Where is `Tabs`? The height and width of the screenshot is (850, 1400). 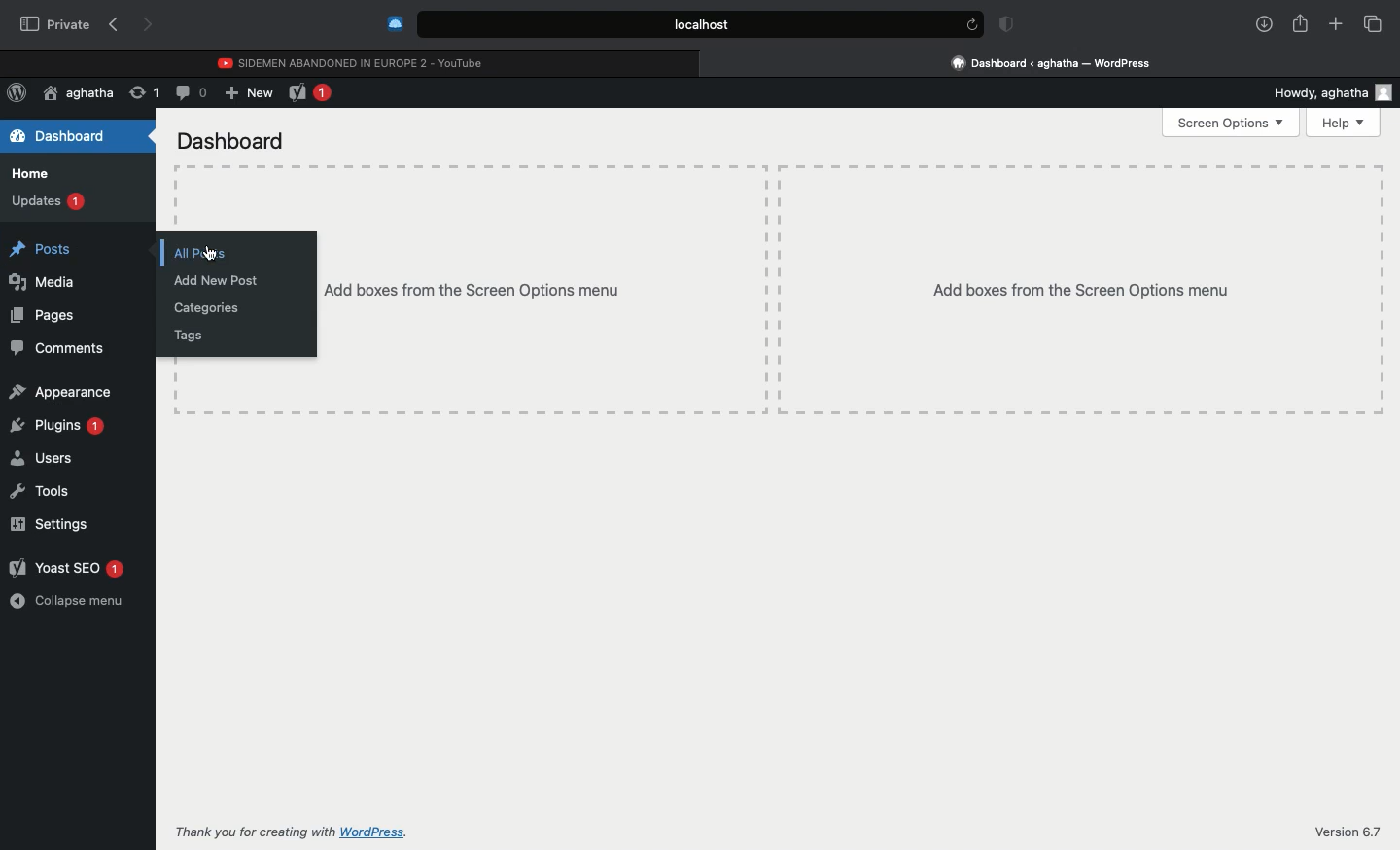 Tabs is located at coordinates (1373, 23).